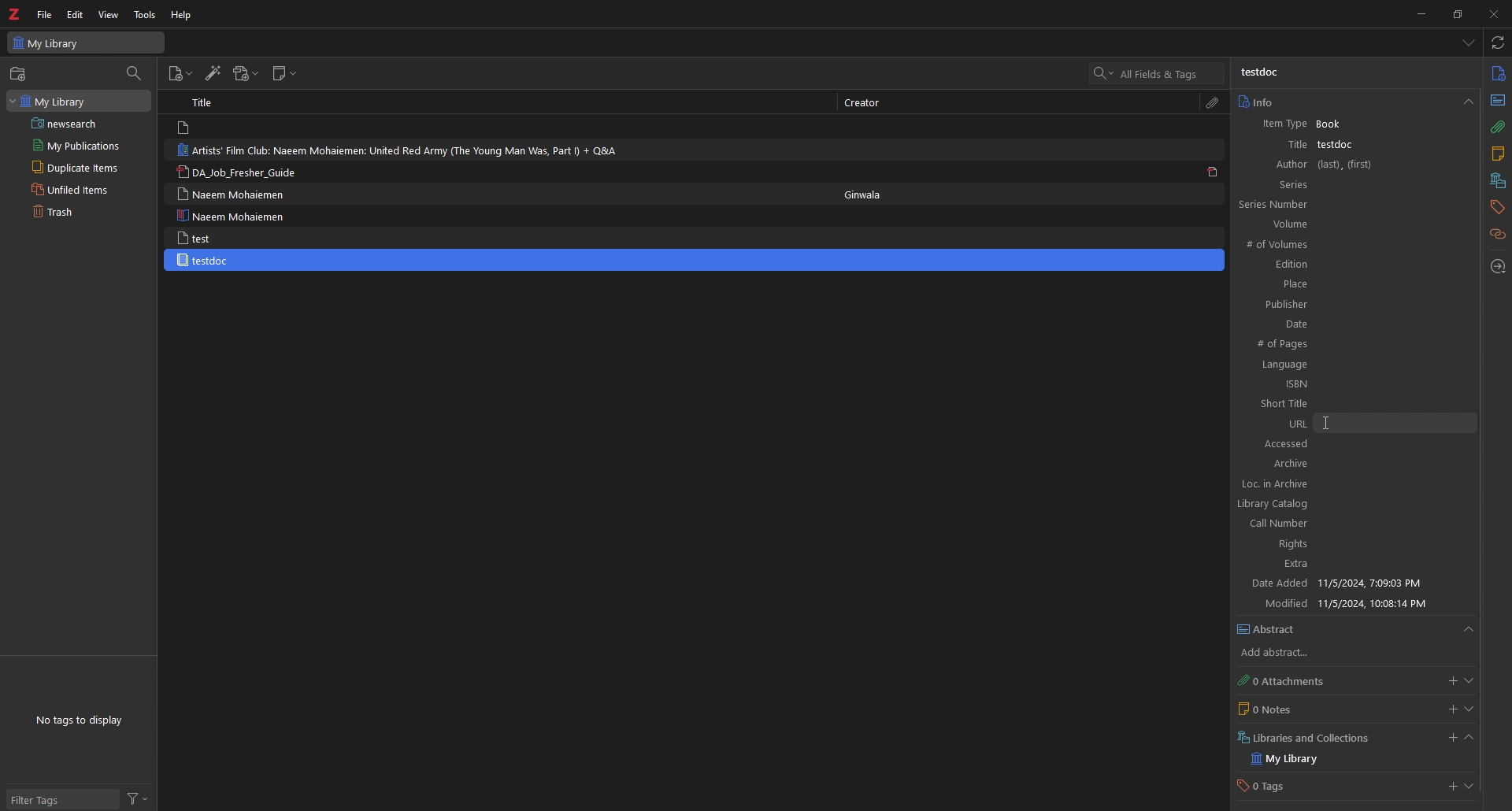  I want to click on libraries and collection, so click(1497, 180).